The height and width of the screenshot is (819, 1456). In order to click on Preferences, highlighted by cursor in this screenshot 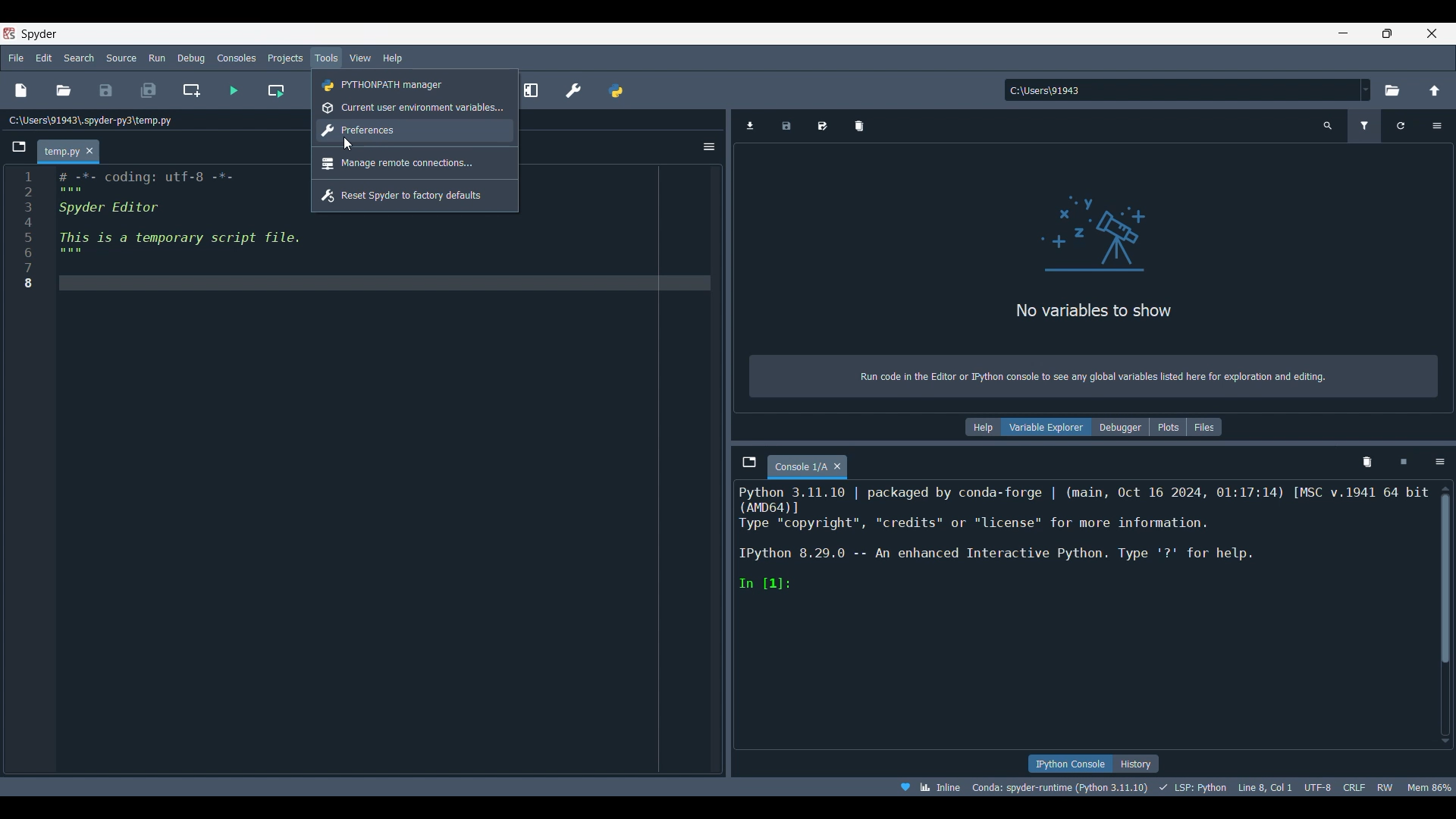, I will do `click(416, 131)`.